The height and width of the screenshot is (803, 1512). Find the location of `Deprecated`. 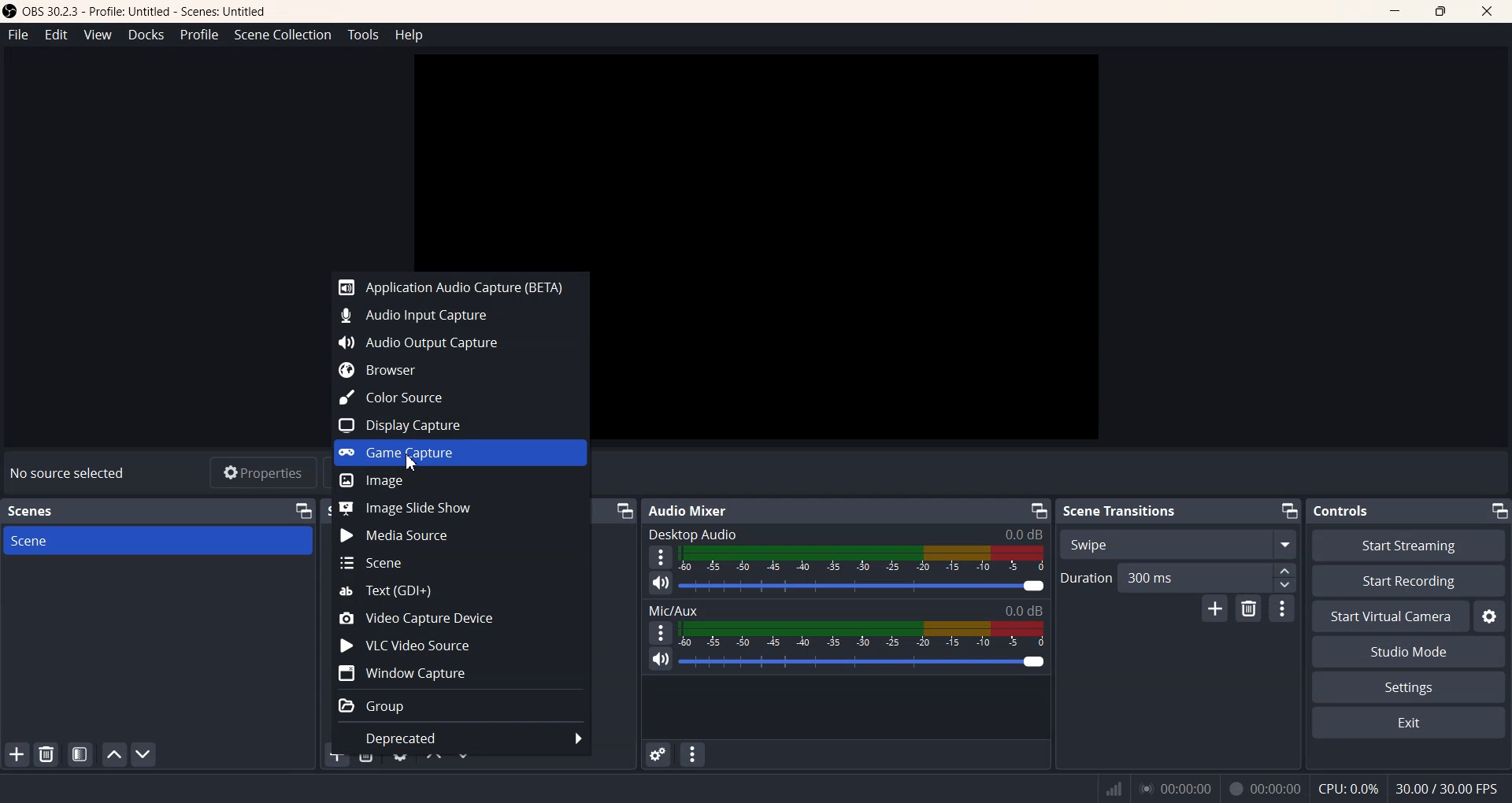

Deprecated is located at coordinates (459, 738).